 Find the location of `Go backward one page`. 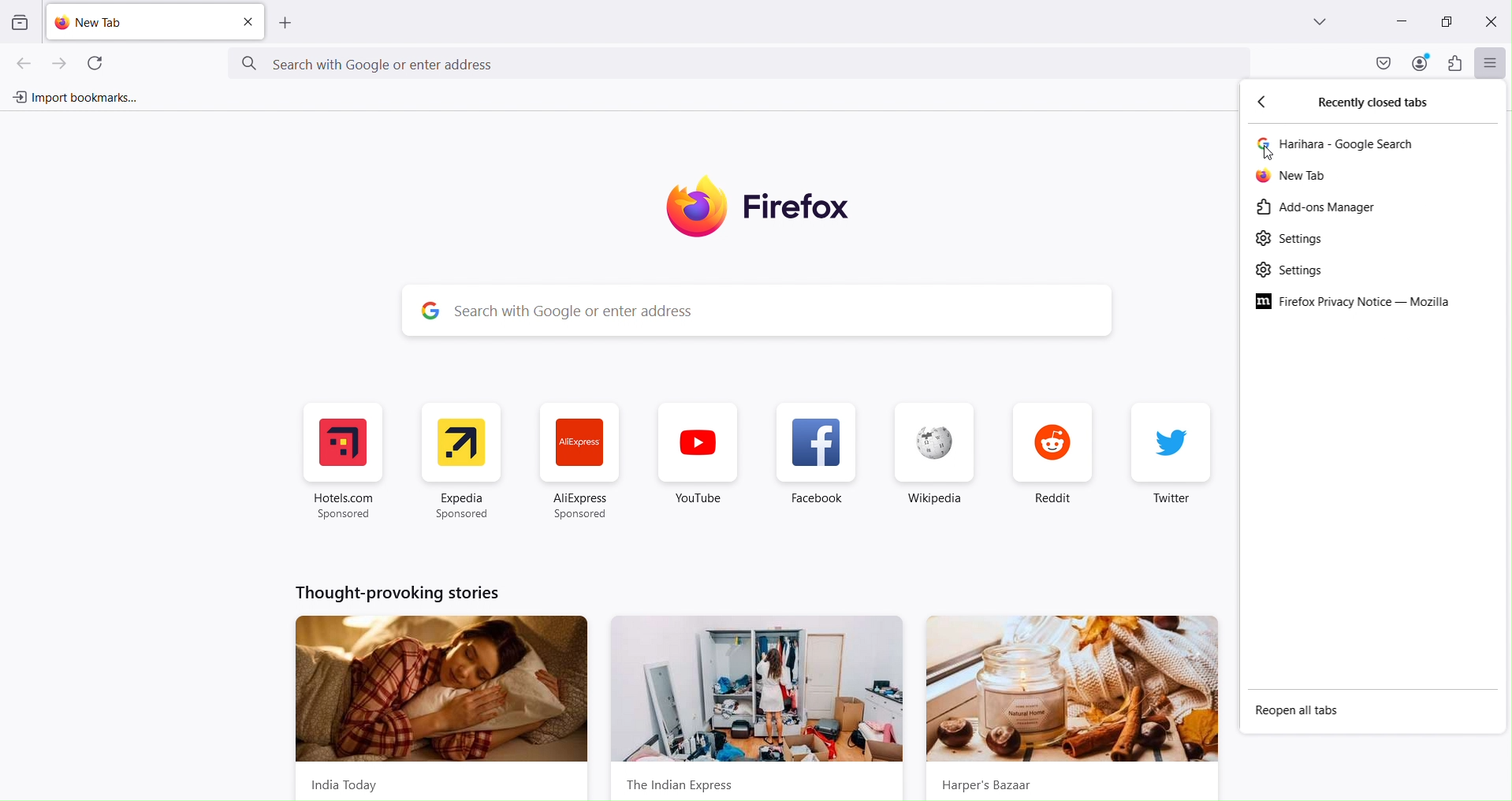

Go backward one page is located at coordinates (18, 62).